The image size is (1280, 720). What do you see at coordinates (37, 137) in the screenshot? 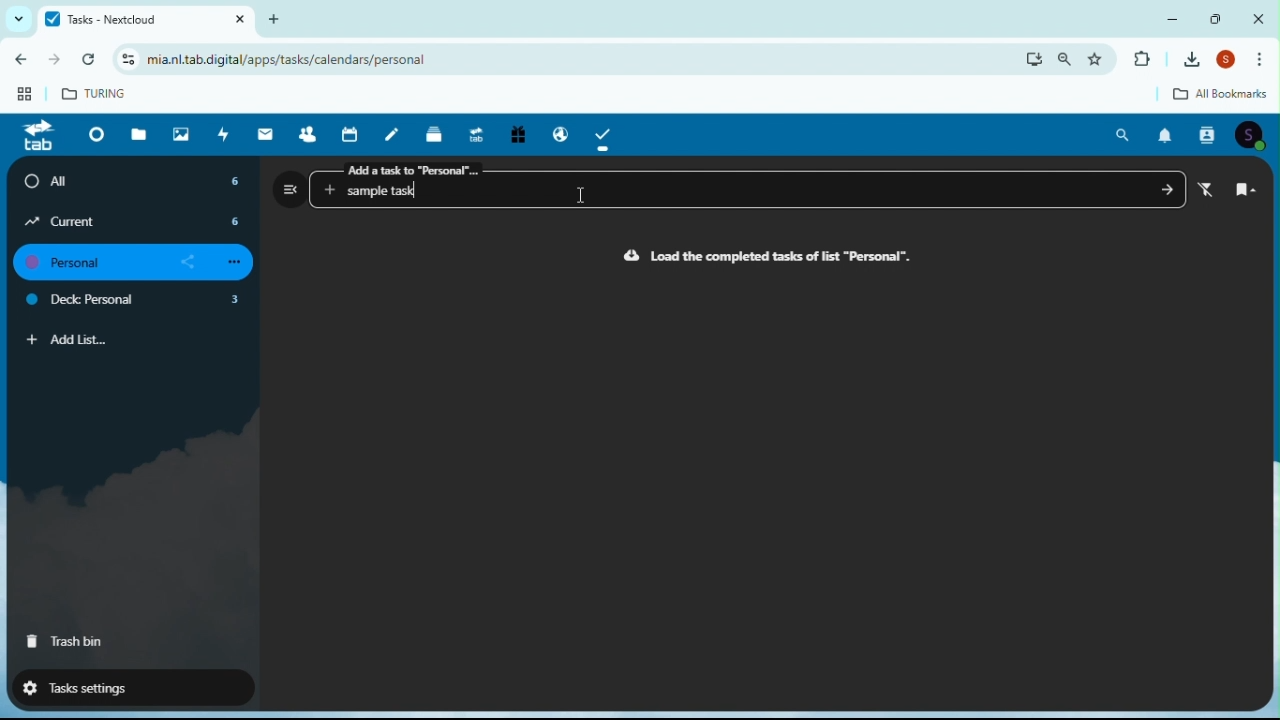
I see `tab` at bounding box center [37, 137].